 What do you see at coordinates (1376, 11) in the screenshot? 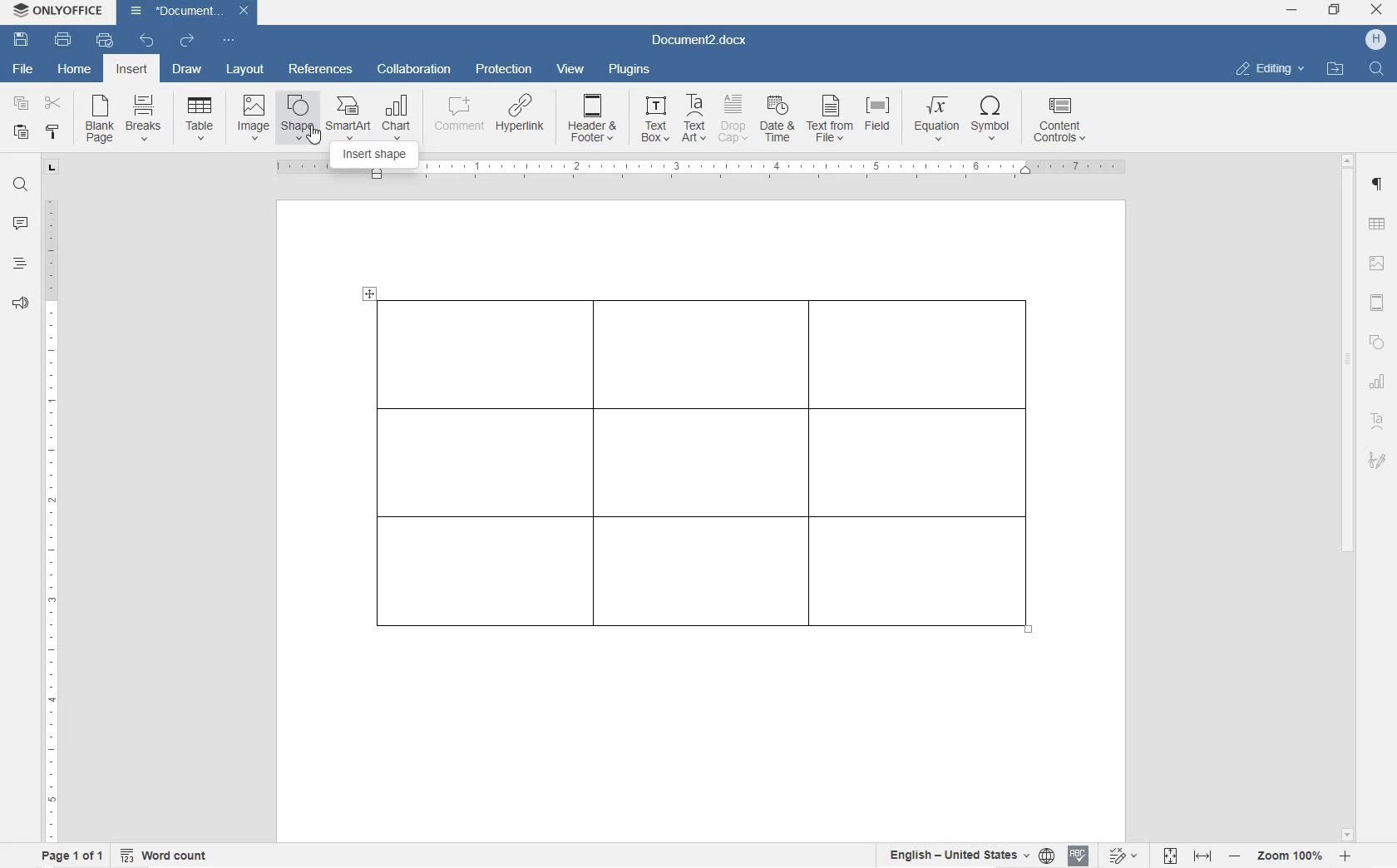
I see `close` at bounding box center [1376, 11].